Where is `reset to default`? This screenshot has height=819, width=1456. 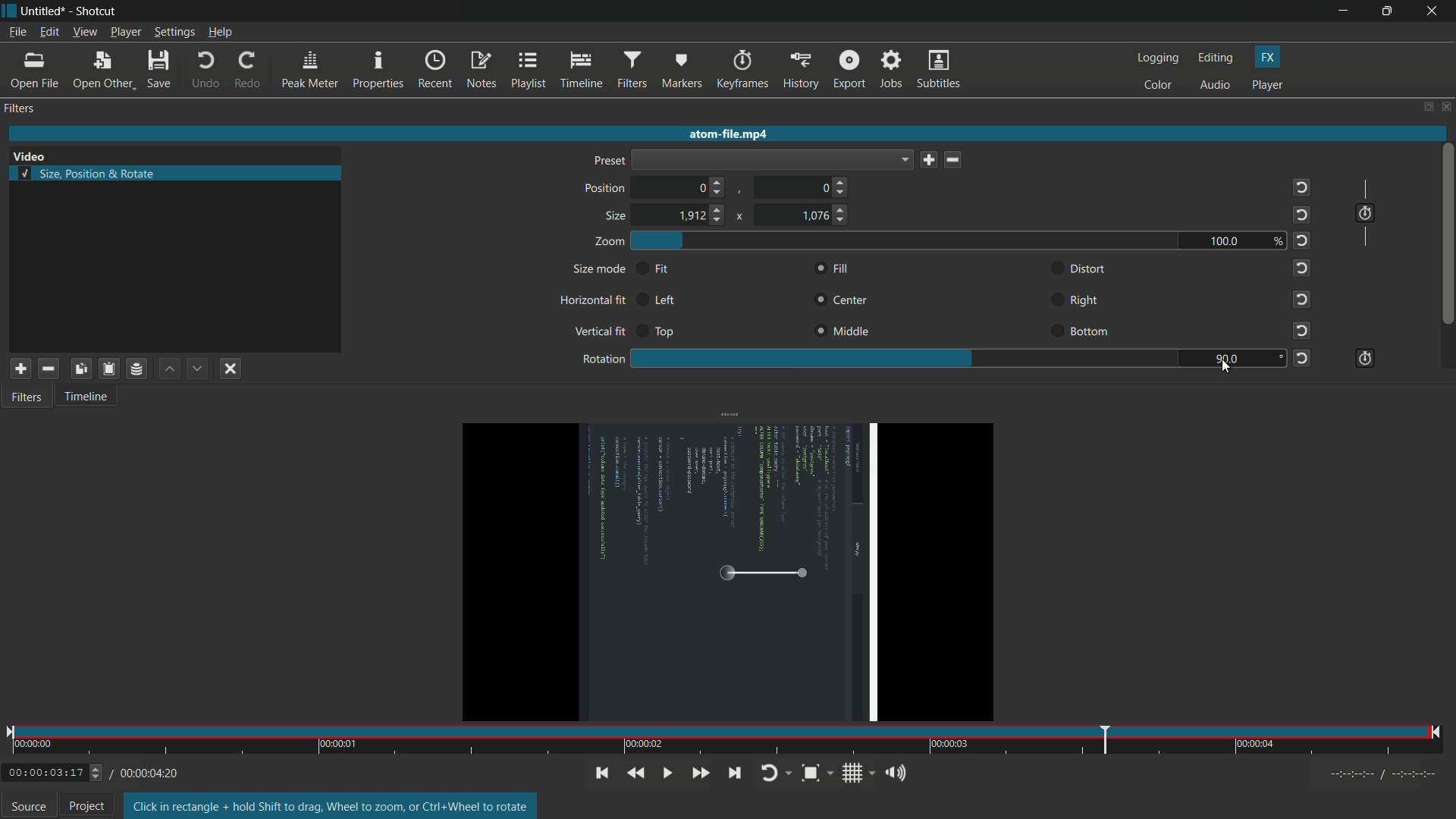
reset to default is located at coordinates (1303, 298).